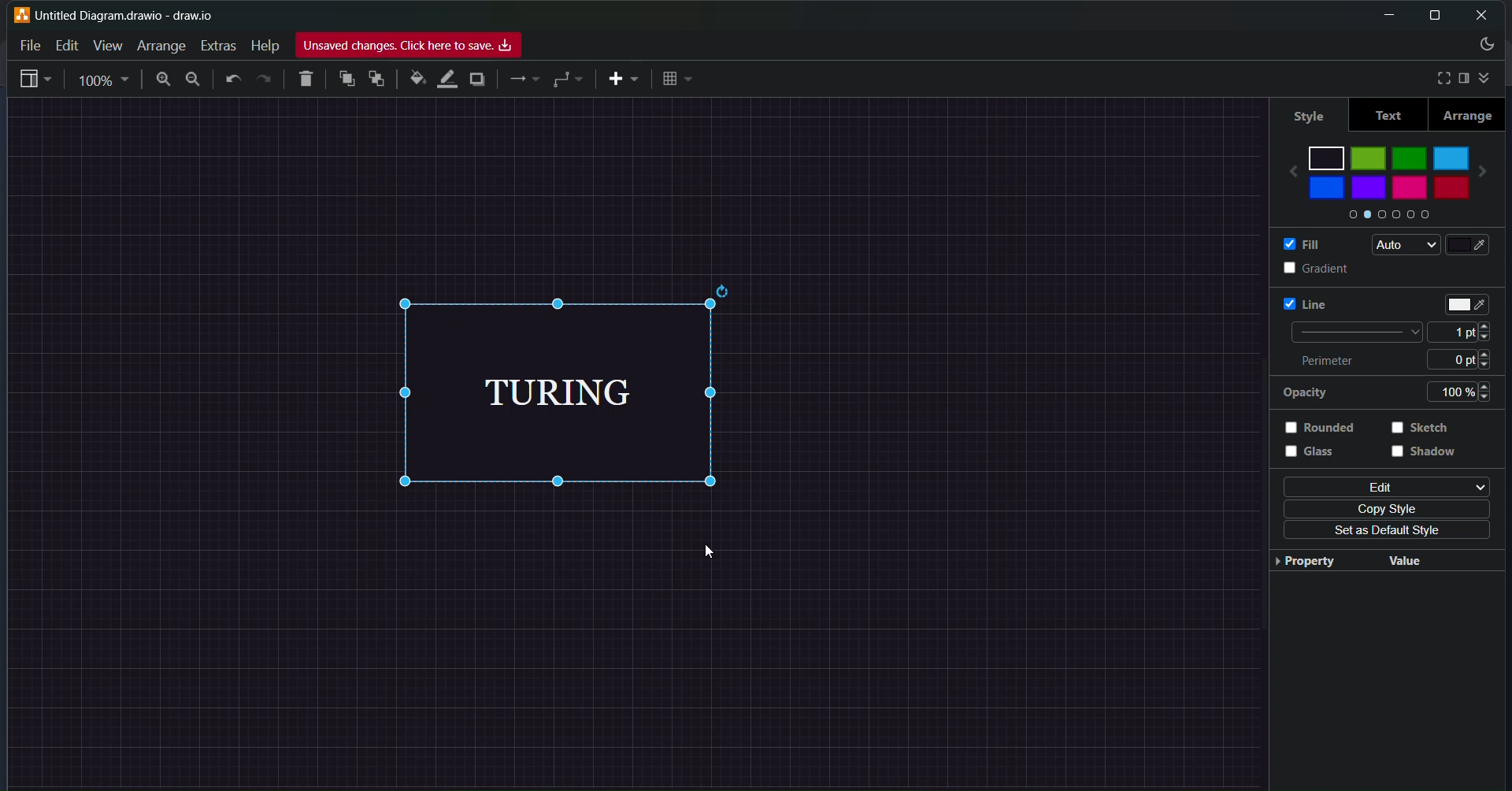 Image resolution: width=1512 pixels, height=791 pixels. What do you see at coordinates (1304, 393) in the screenshot?
I see `opacity` at bounding box center [1304, 393].